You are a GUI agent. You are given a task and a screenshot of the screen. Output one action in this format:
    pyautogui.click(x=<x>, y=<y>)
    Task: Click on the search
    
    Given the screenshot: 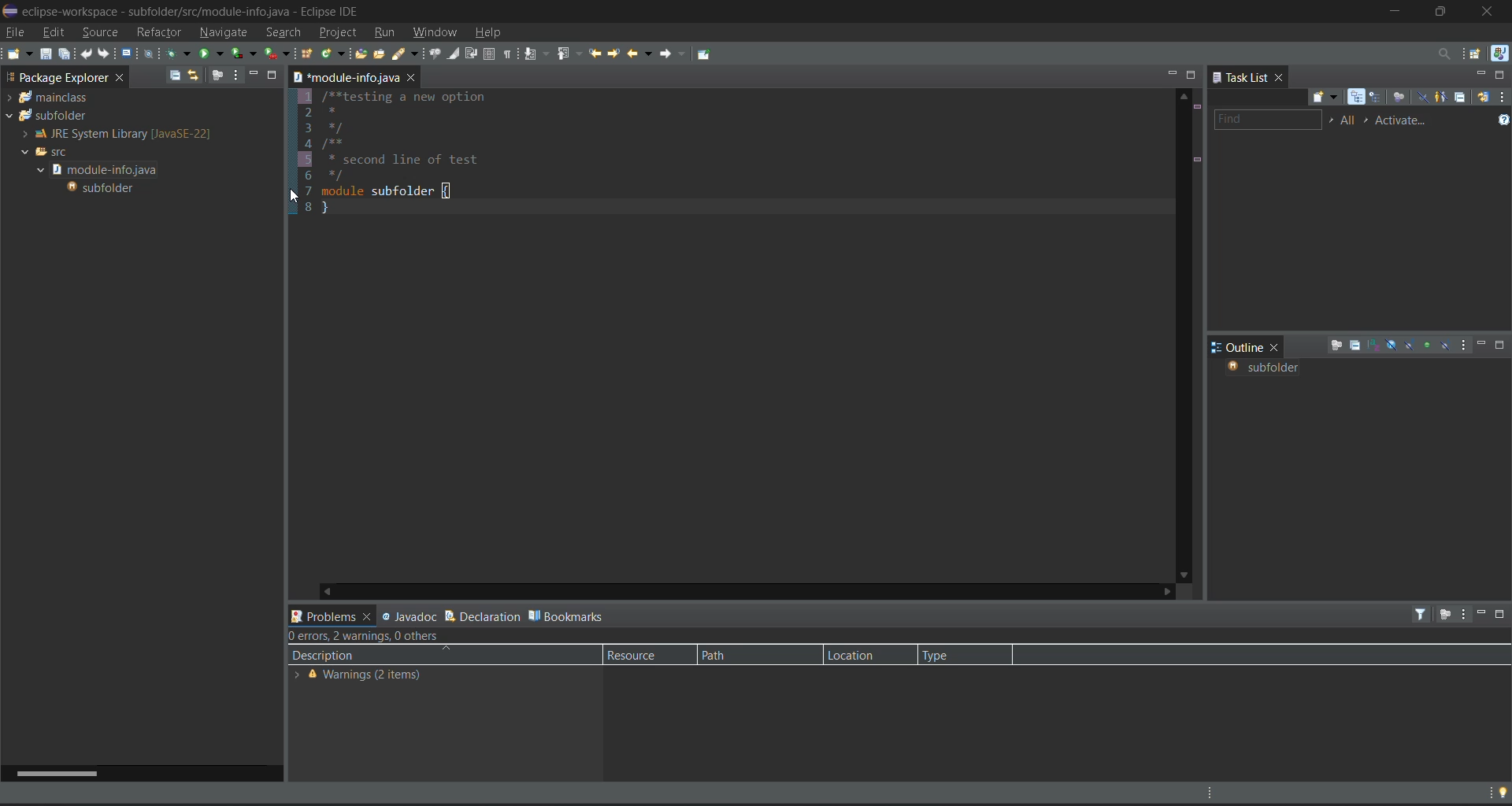 What is the action you would take?
    pyautogui.click(x=409, y=56)
    